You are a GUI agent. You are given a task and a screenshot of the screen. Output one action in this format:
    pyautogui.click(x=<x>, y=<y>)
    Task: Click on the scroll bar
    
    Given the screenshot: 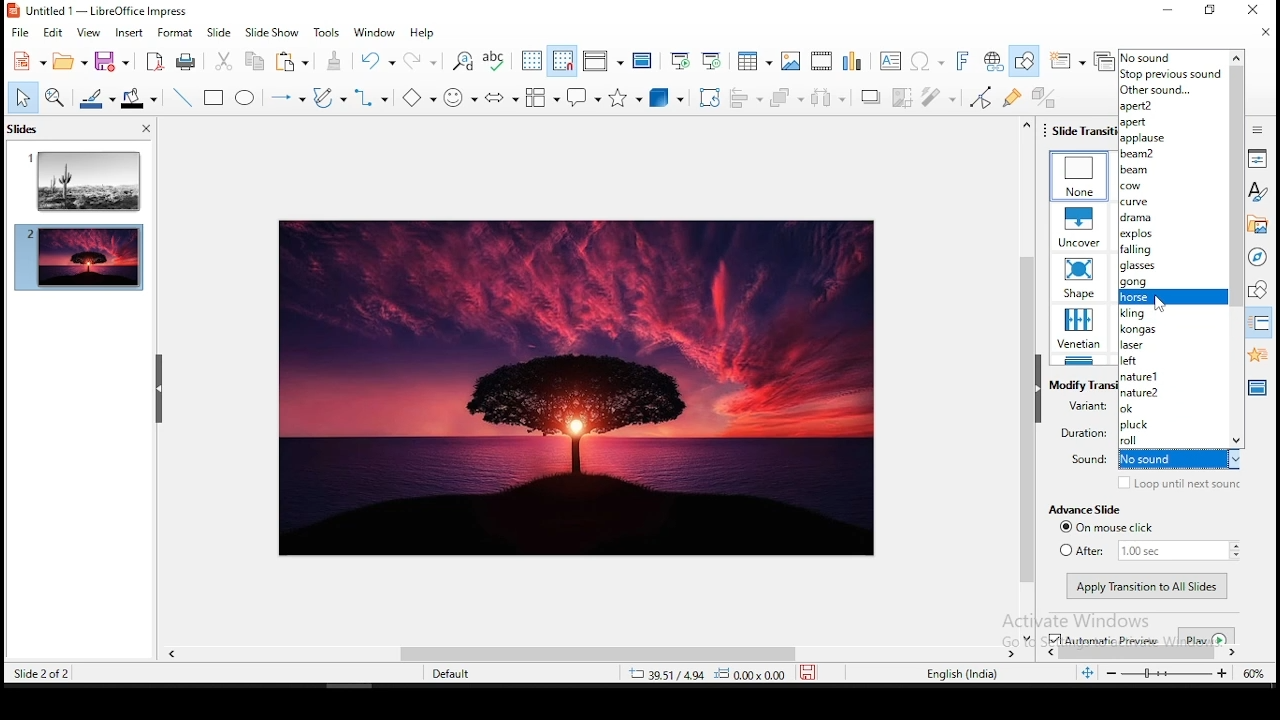 What is the action you would take?
    pyautogui.click(x=1237, y=255)
    